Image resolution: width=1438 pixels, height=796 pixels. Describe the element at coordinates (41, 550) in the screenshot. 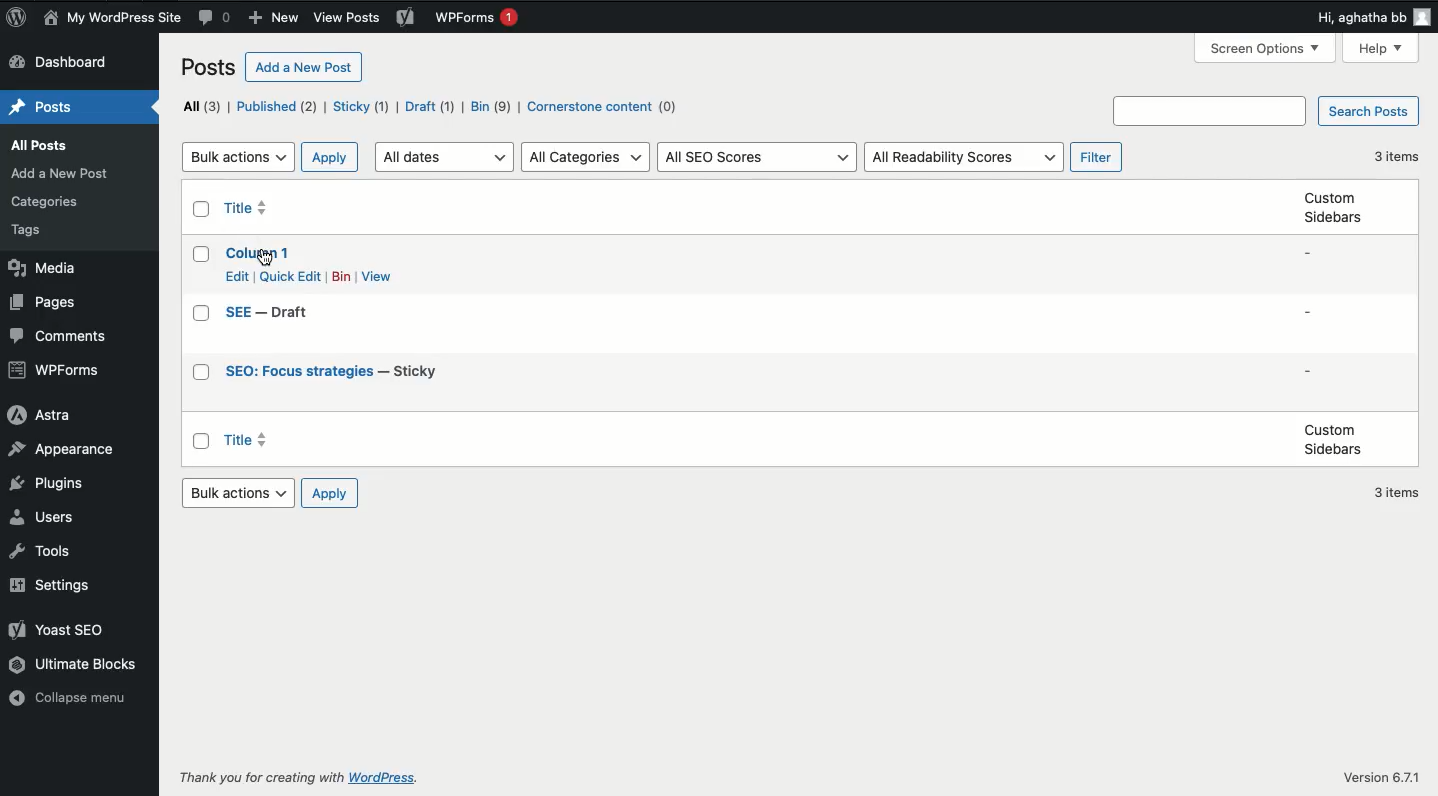

I see `Tools` at that location.